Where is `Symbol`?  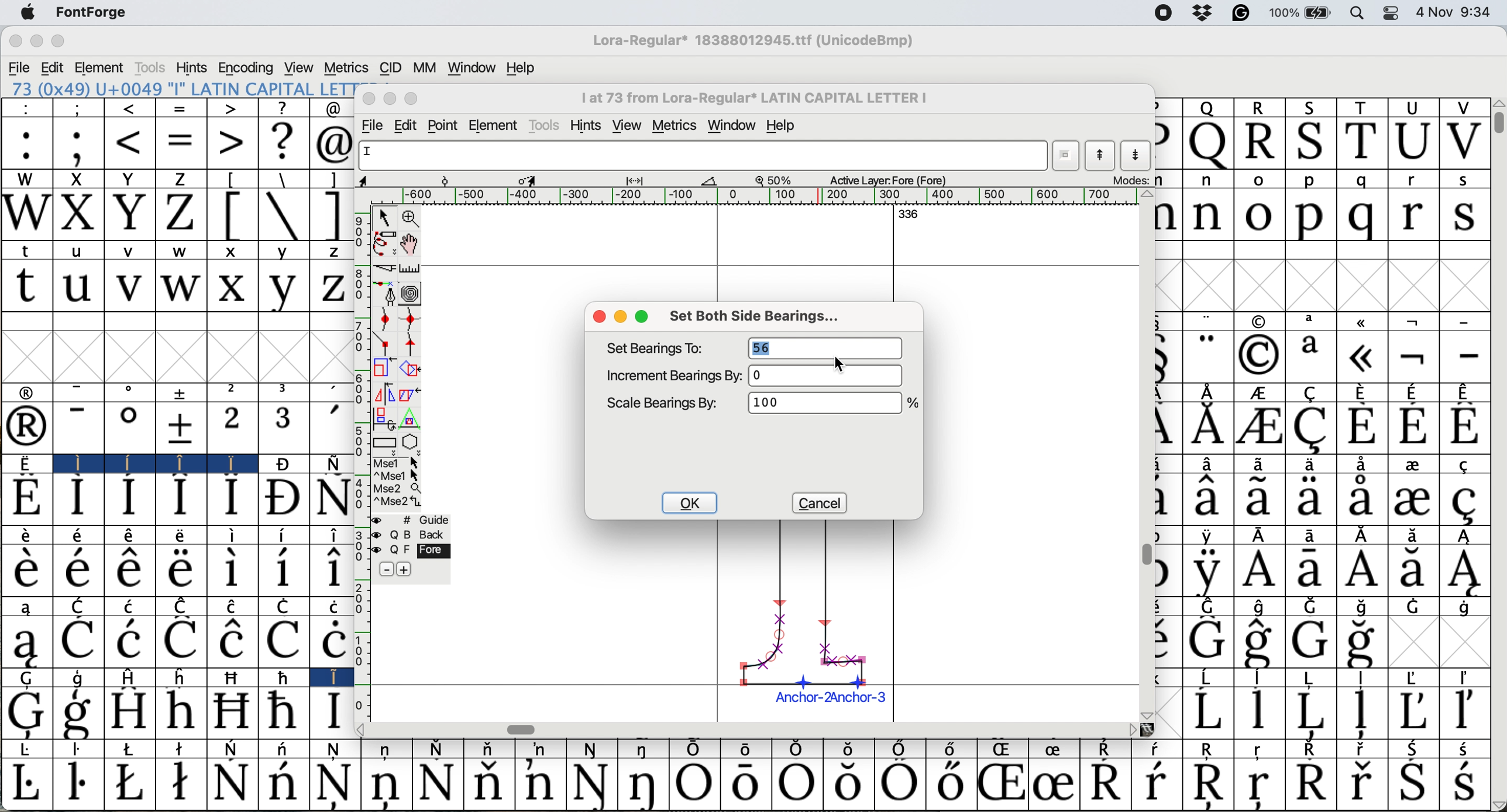
Symbol is located at coordinates (1058, 749).